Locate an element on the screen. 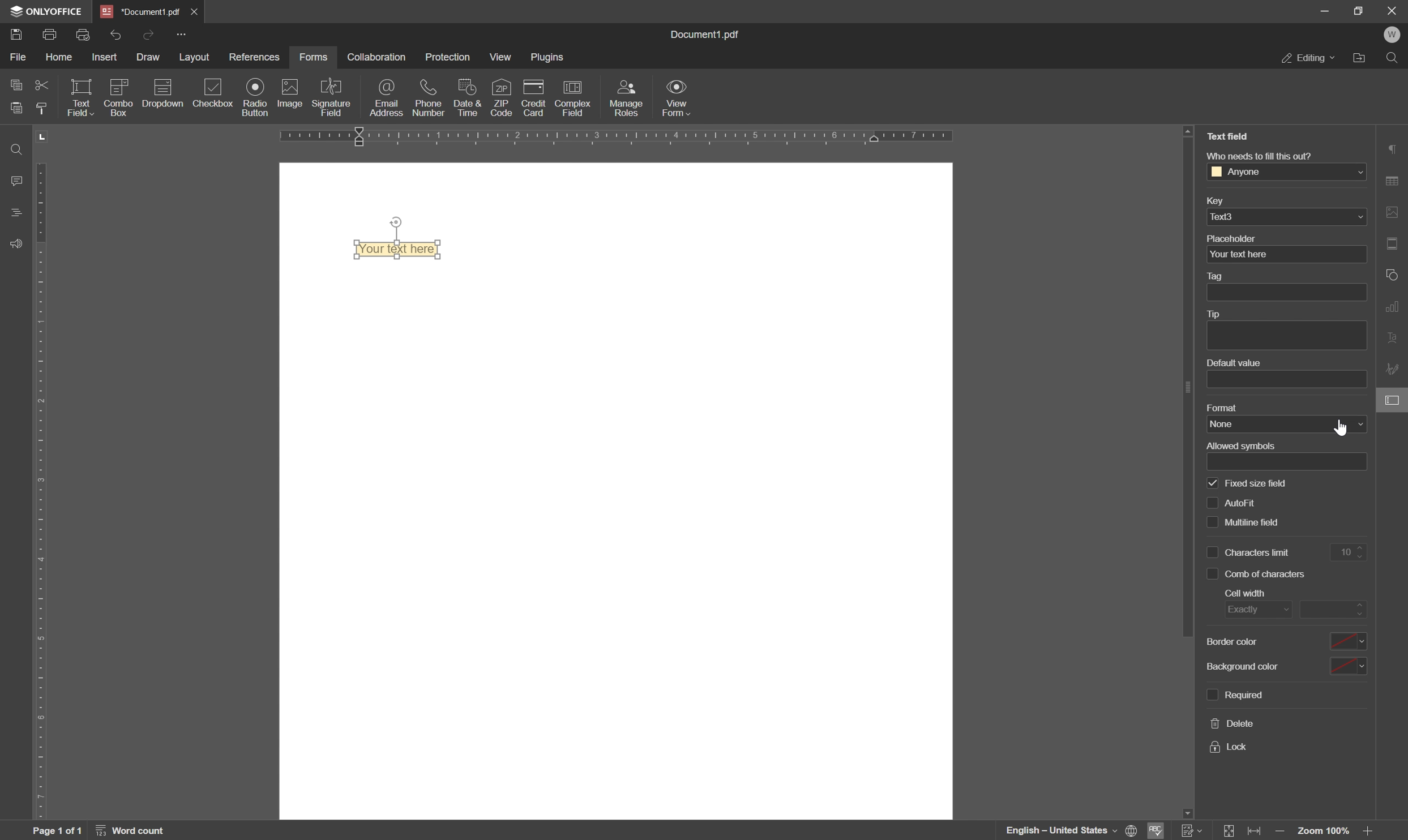 The image size is (1408, 840). insert is located at coordinates (109, 57).